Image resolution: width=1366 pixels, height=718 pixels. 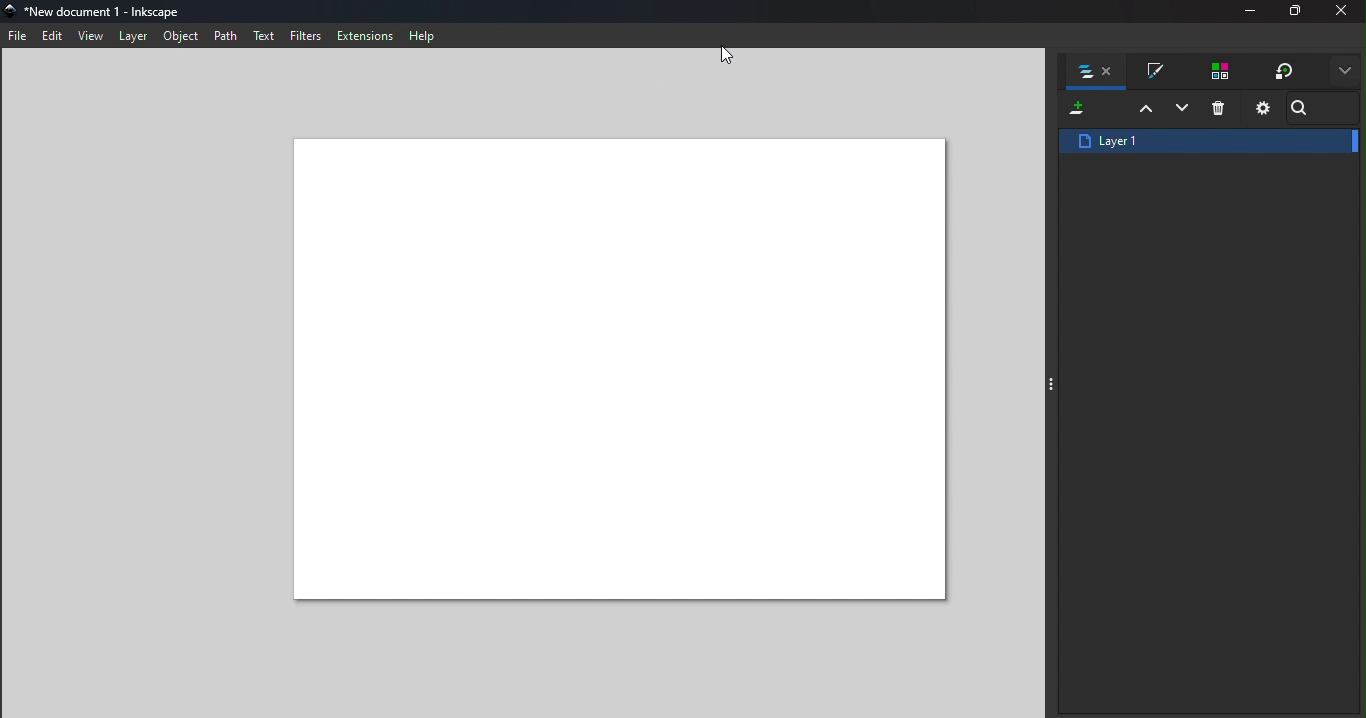 What do you see at coordinates (1262, 109) in the screenshot?
I see `Layers and objects dialog settings` at bounding box center [1262, 109].